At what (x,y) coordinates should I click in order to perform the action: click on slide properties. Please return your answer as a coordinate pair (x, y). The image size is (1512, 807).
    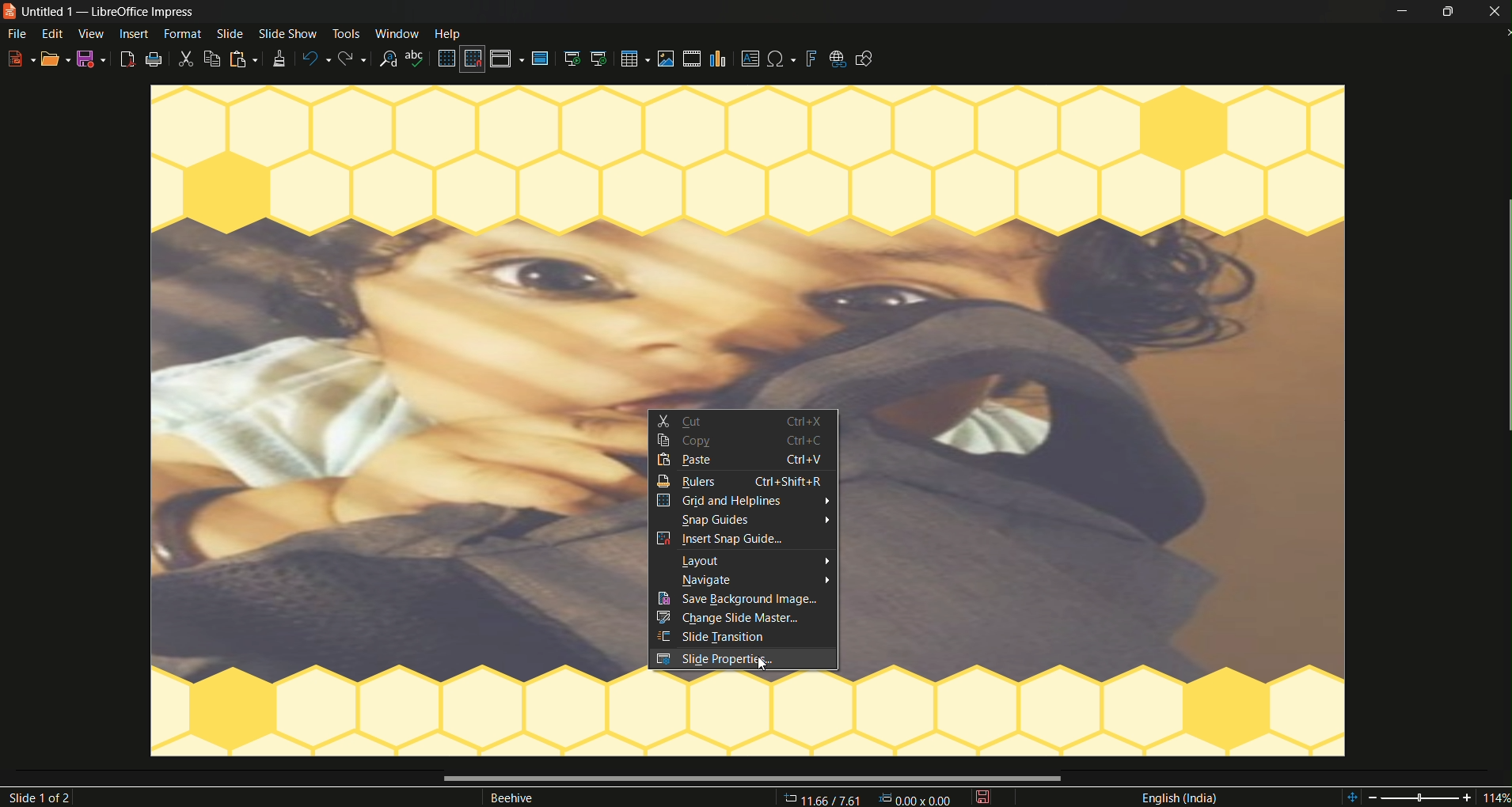
    Looking at the image, I should click on (718, 659).